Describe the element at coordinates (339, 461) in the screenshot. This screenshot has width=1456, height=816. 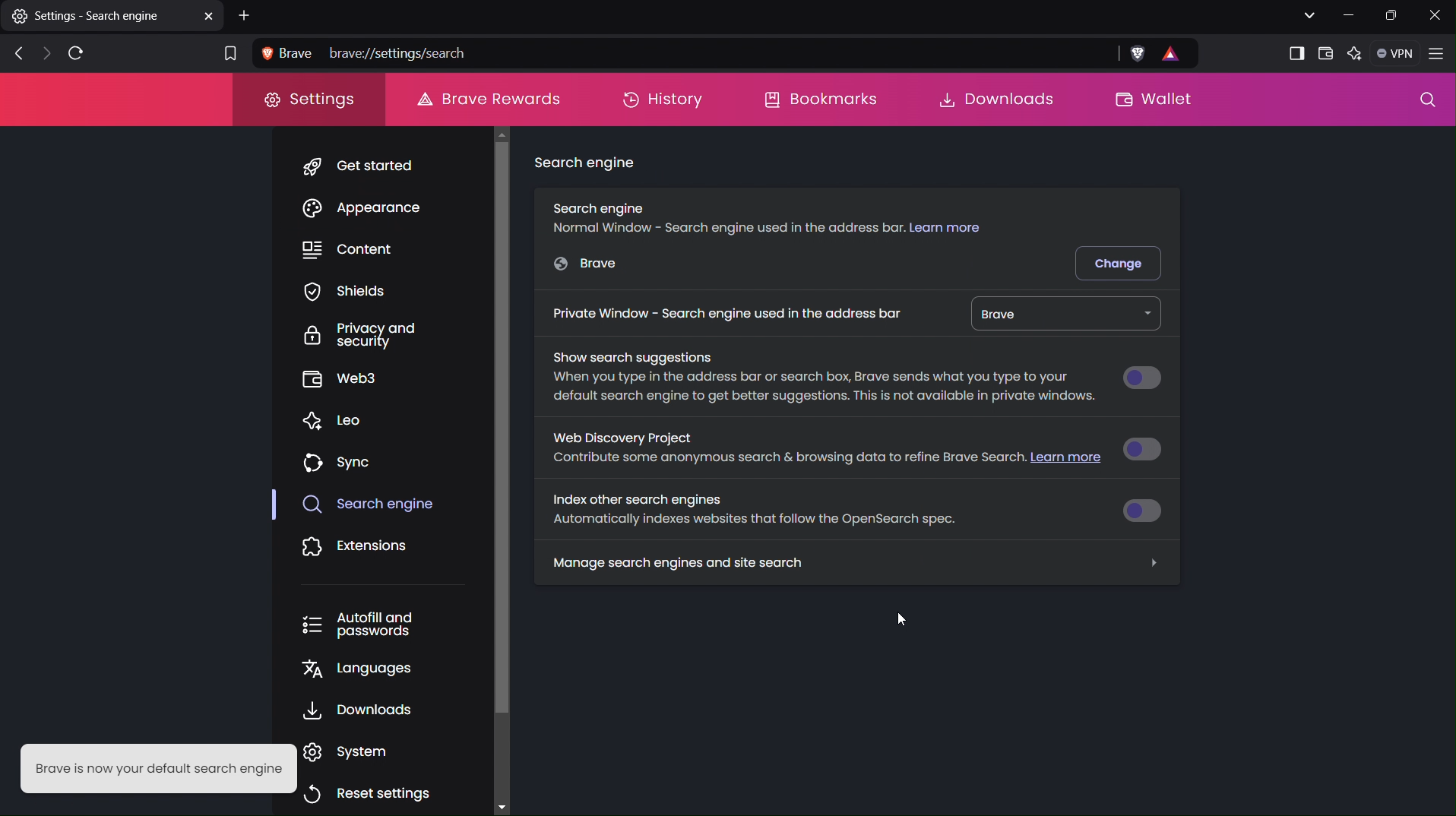
I see `Sync` at that location.